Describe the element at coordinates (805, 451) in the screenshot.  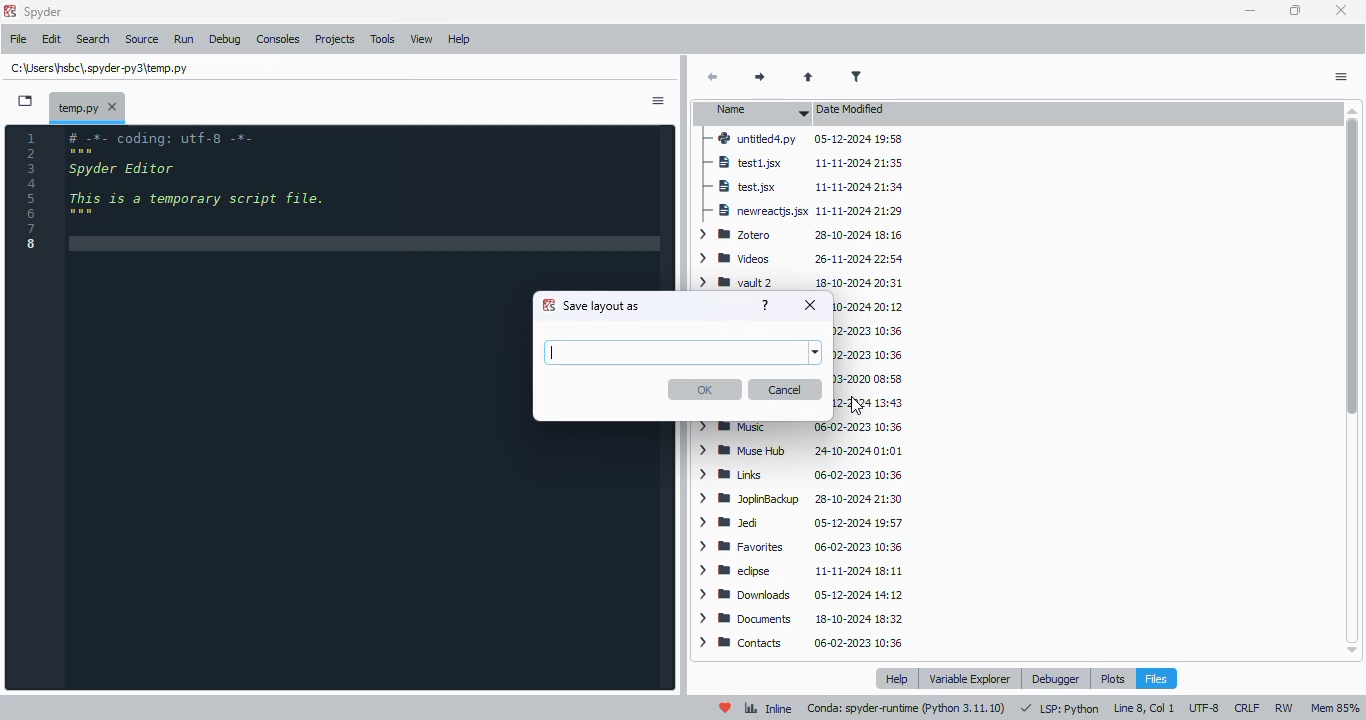
I see `Muse Hub` at that location.